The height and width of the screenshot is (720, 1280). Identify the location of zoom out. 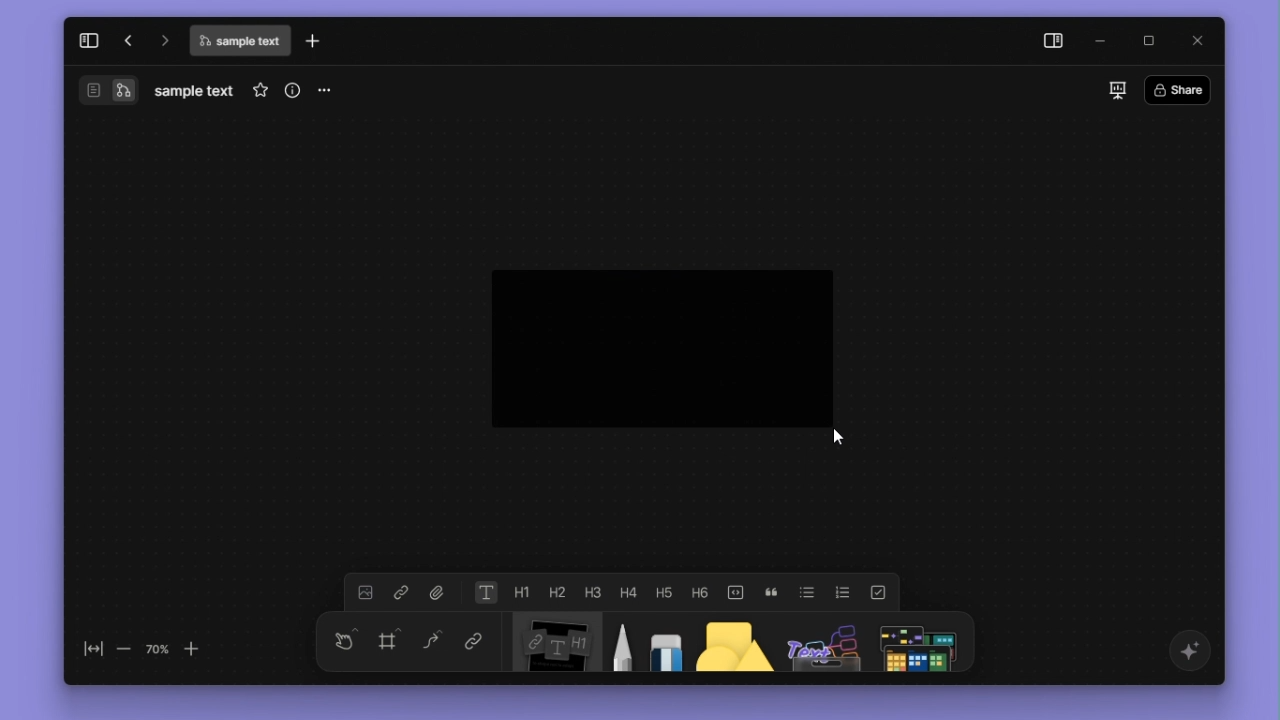
(124, 650).